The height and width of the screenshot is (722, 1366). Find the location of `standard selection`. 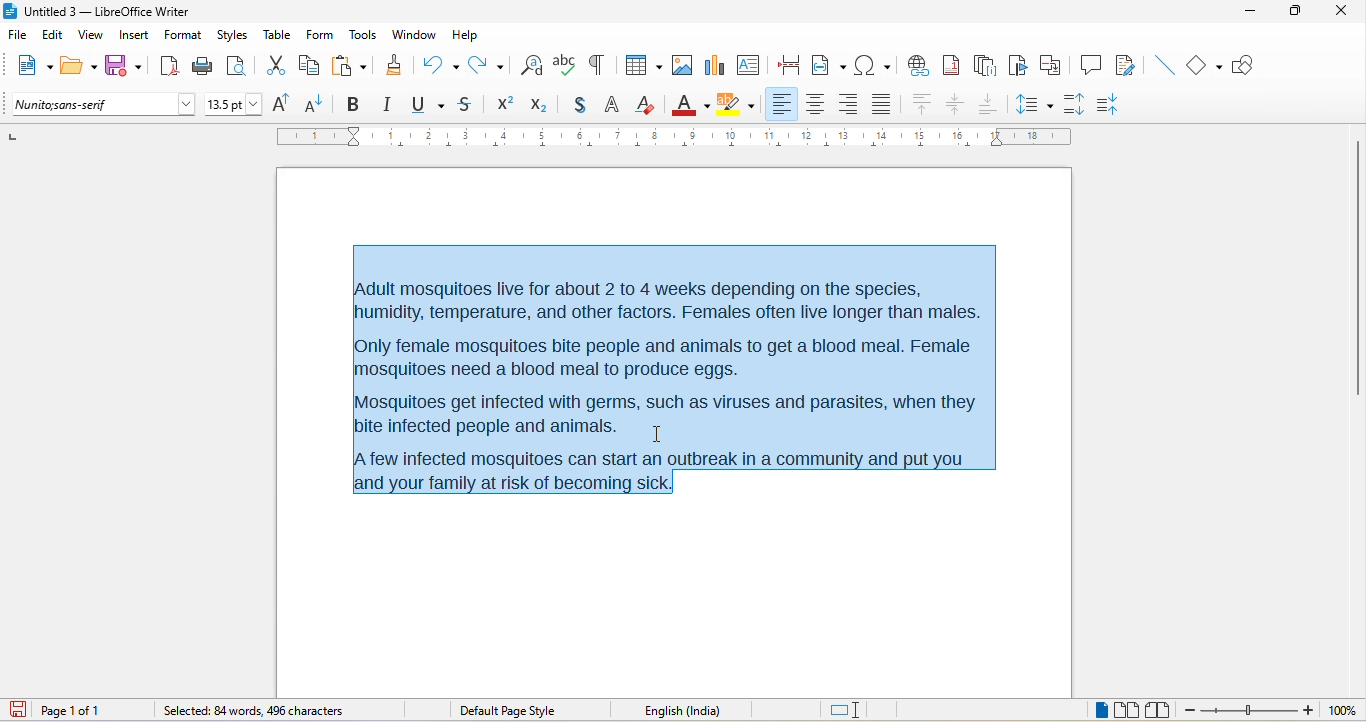

standard selection is located at coordinates (847, 711).